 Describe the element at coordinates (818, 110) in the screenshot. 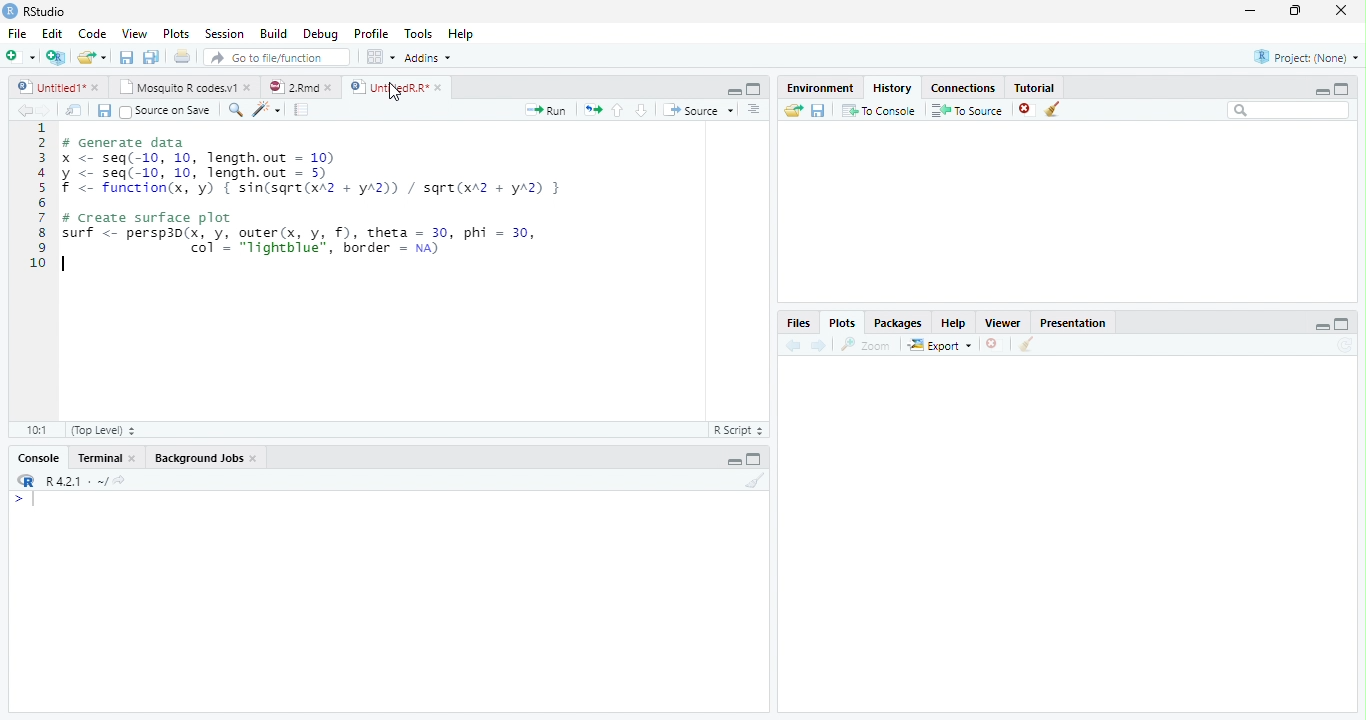

I see `Save history into a file` at that location.